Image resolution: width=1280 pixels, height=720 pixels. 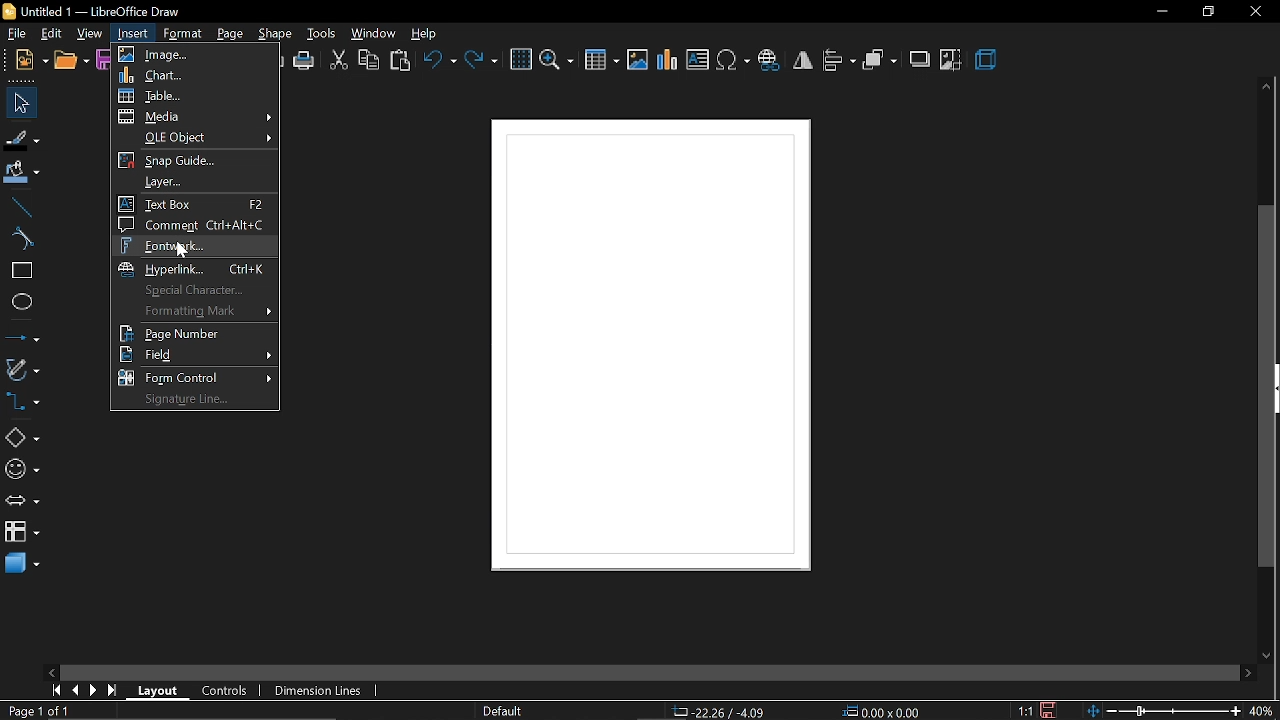 What do you see at coordinates (648, 675) in the screenshot?
I see `horizontal scroll bar` at bounding box center [648, 675].